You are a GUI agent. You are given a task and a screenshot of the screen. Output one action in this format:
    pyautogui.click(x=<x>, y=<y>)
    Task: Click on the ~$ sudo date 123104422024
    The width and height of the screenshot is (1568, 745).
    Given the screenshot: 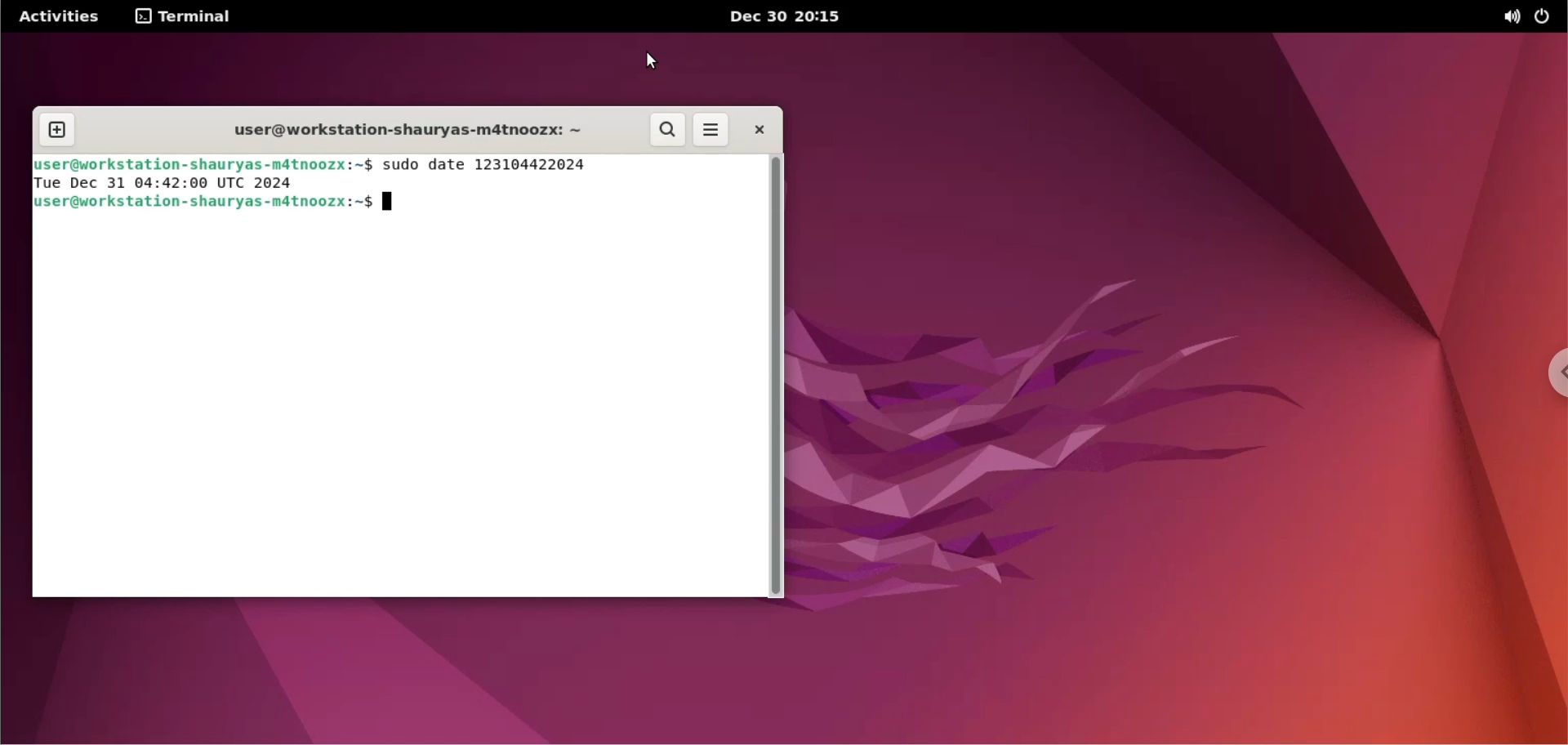 What is the action you would take?
    pyautogui.click(x=475, y=165)
    